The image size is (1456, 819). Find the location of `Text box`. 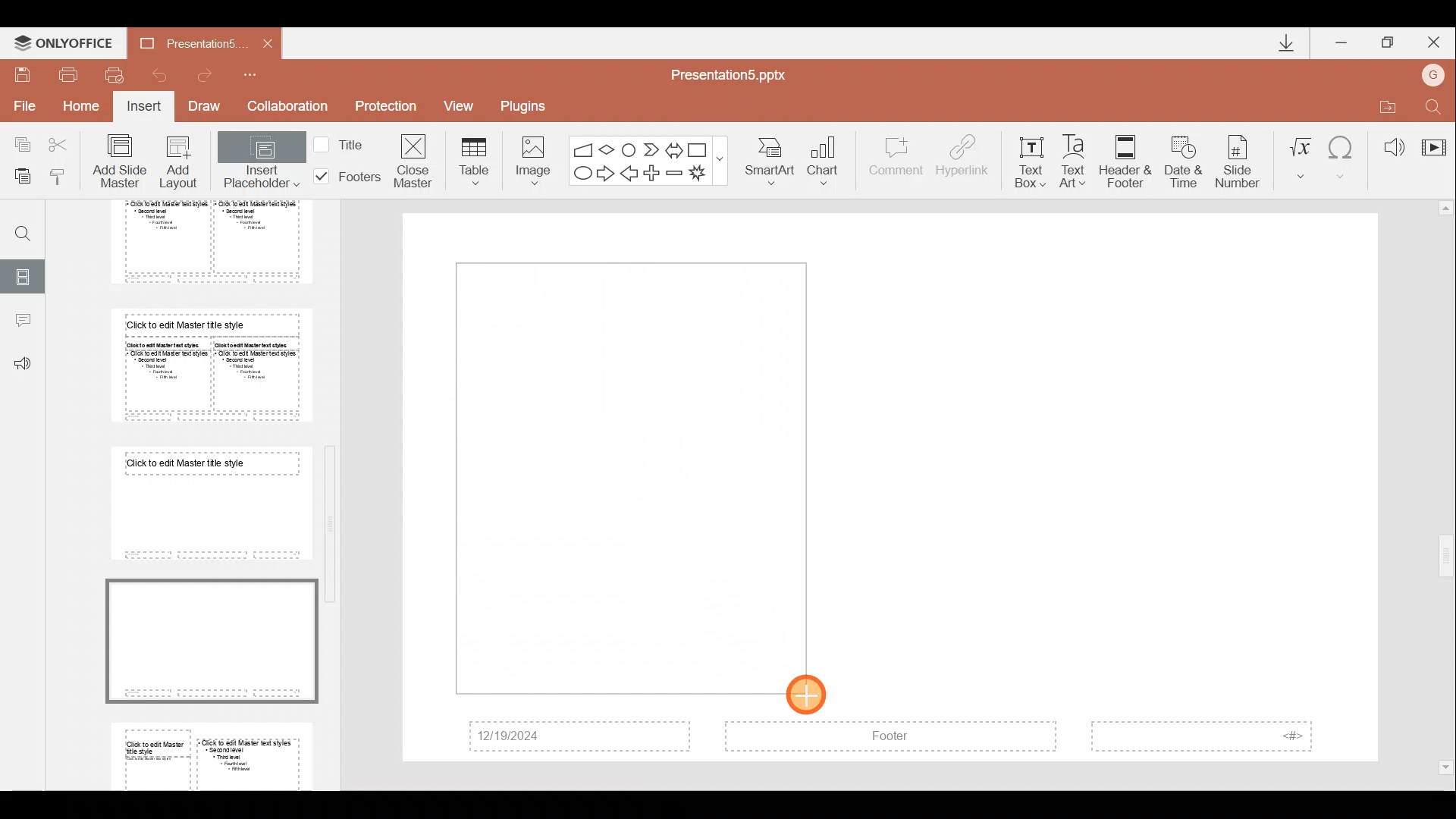

Text box is located at coordinates (1030, 158).